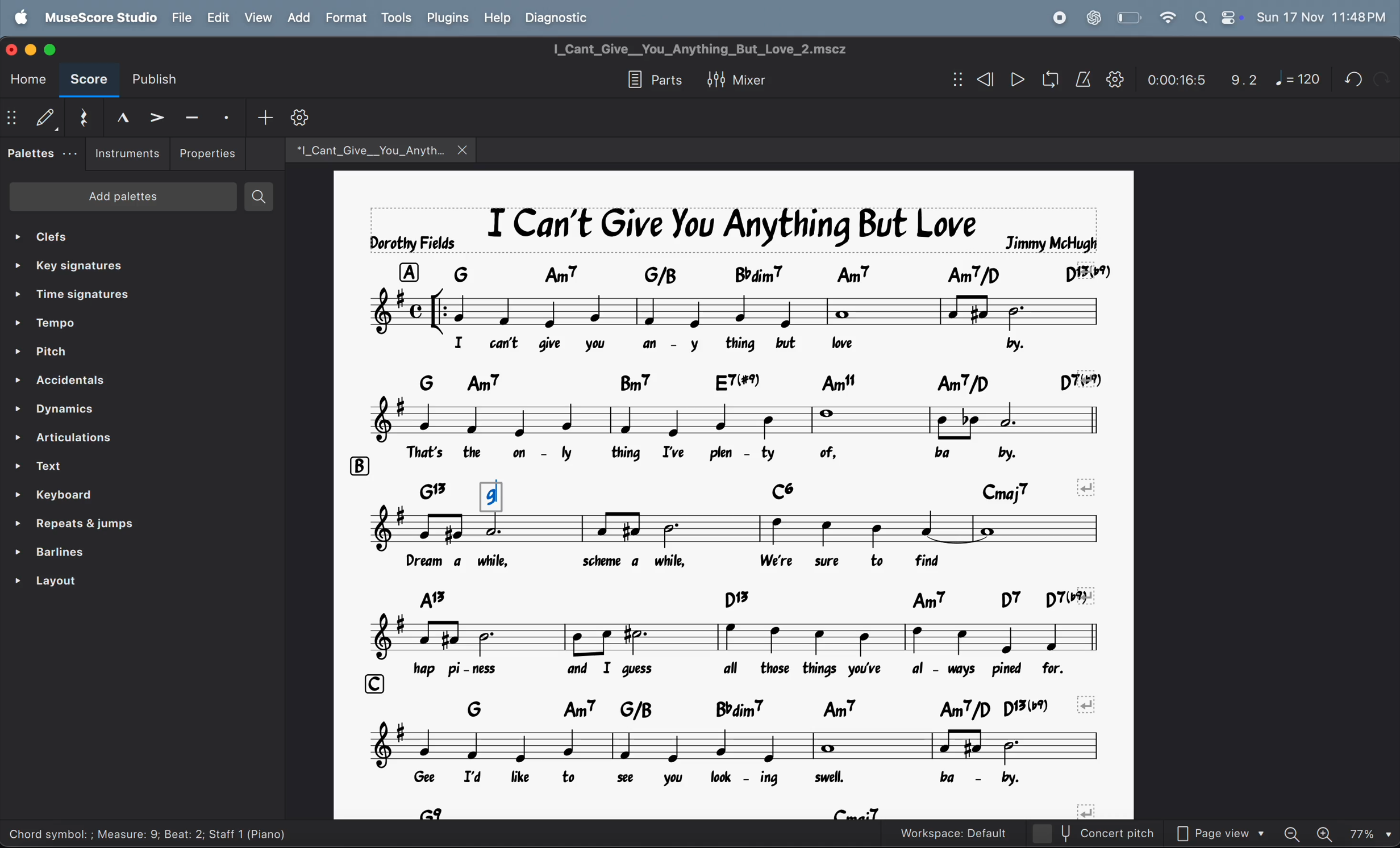 This screenshot has height=848, width=1400. What do you see at coordinates (735, 421) in the screenshot?
I see `notes` at bounding box center [735, 421].